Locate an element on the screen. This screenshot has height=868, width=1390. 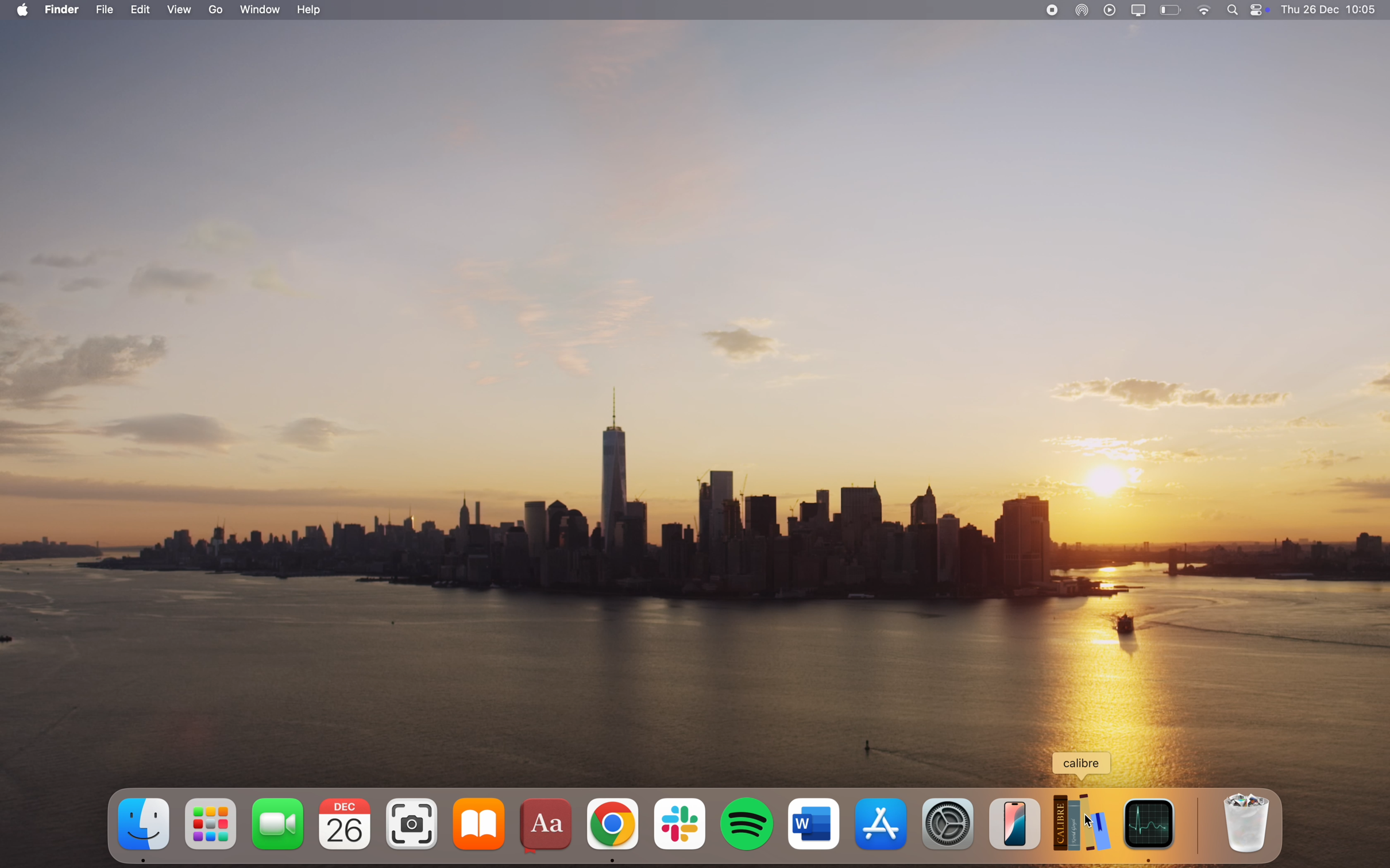
trash is located at coordinates (1248, 822).